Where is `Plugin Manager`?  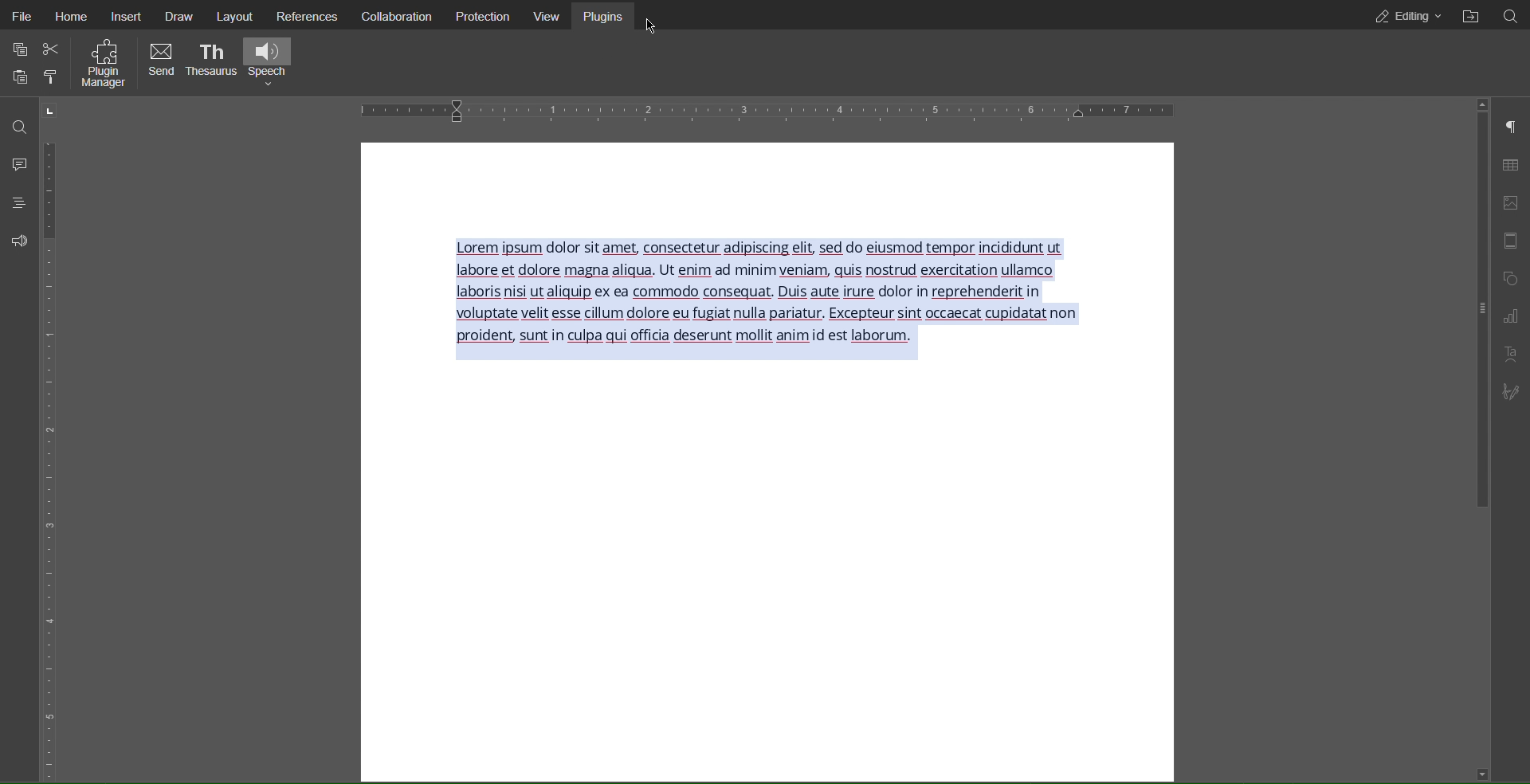
Plugin Manager is located at coordinates (103, 66).